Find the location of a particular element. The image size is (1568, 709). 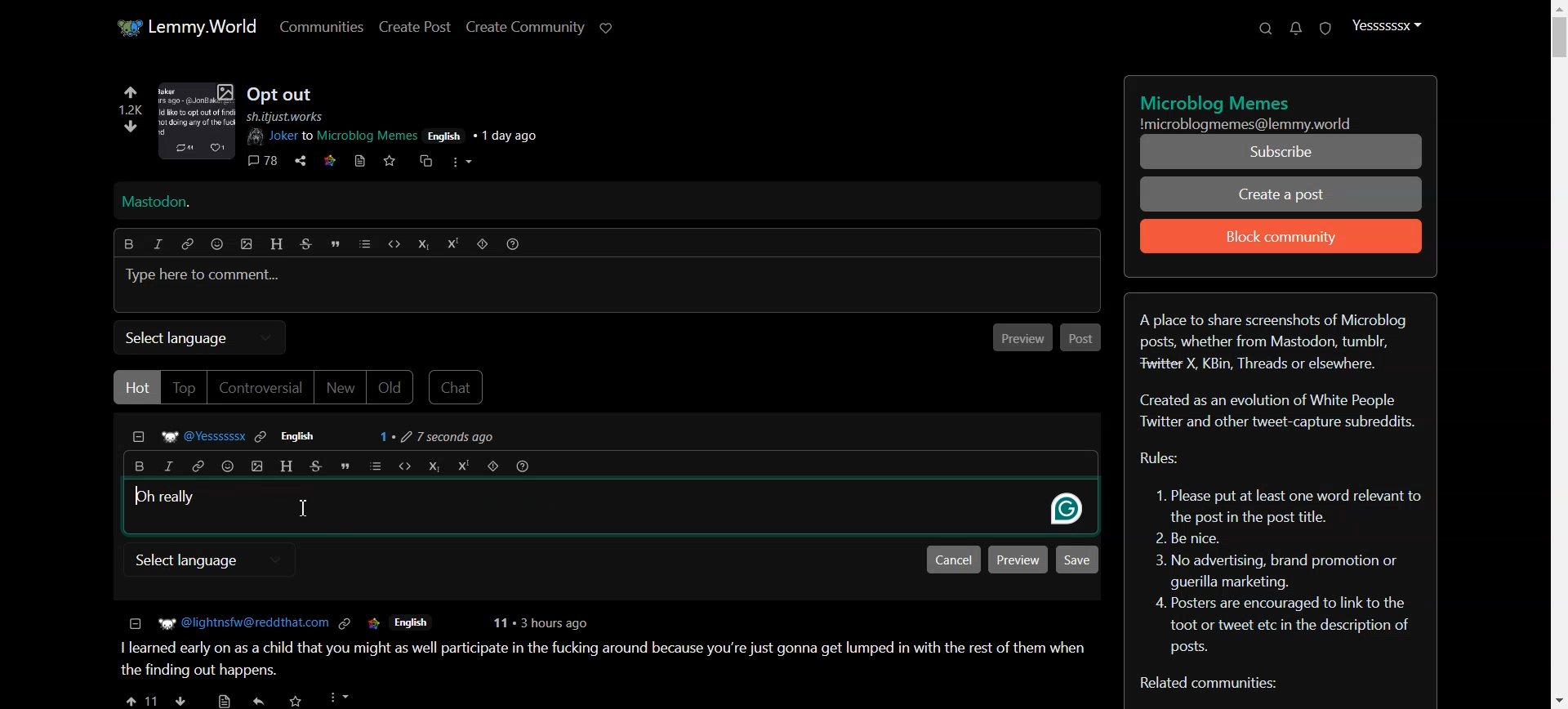

Controversial  is located at coordinates (261, 388).